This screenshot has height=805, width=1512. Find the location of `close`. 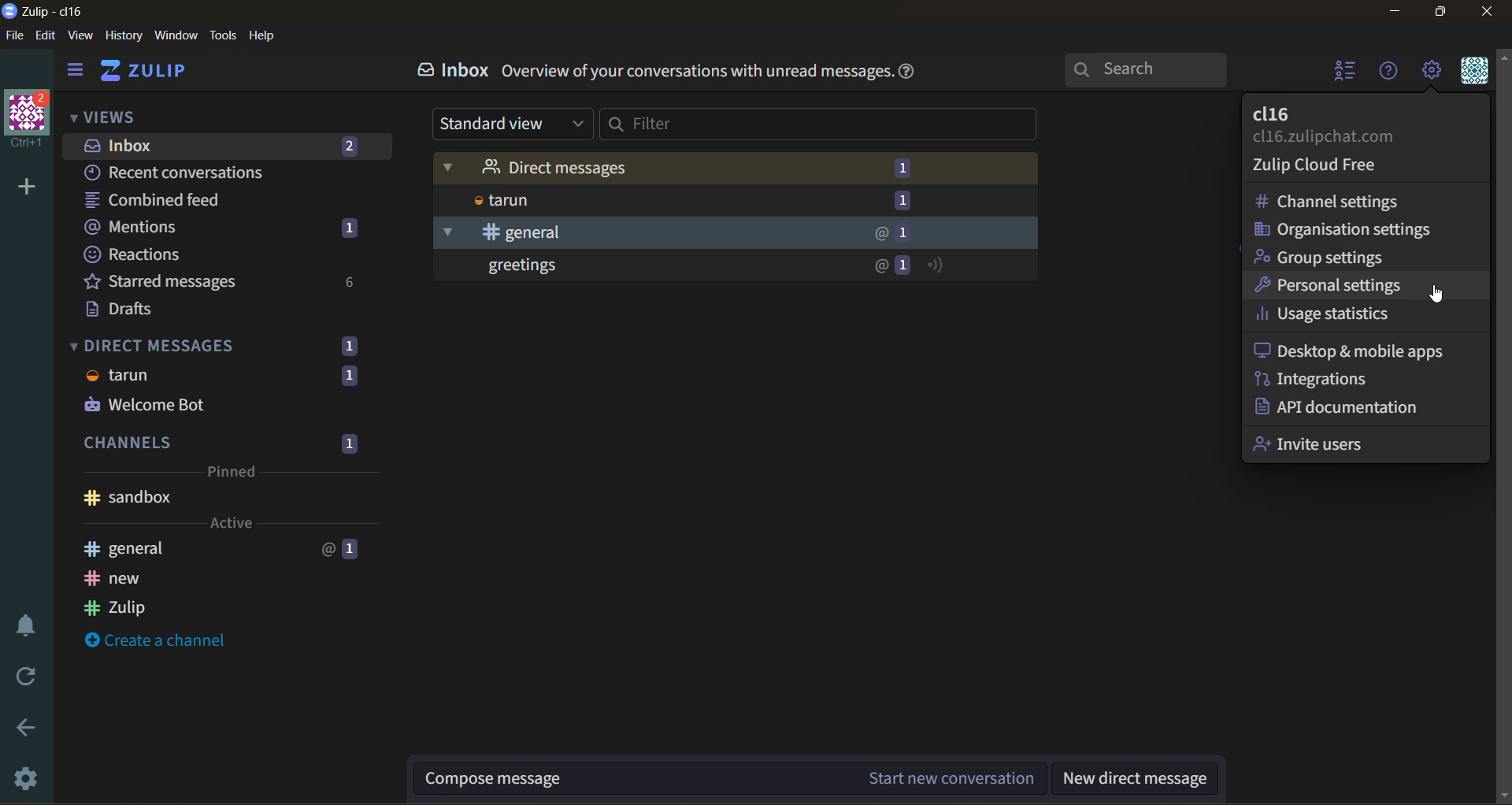

close is located at coordinates (1484, 13).